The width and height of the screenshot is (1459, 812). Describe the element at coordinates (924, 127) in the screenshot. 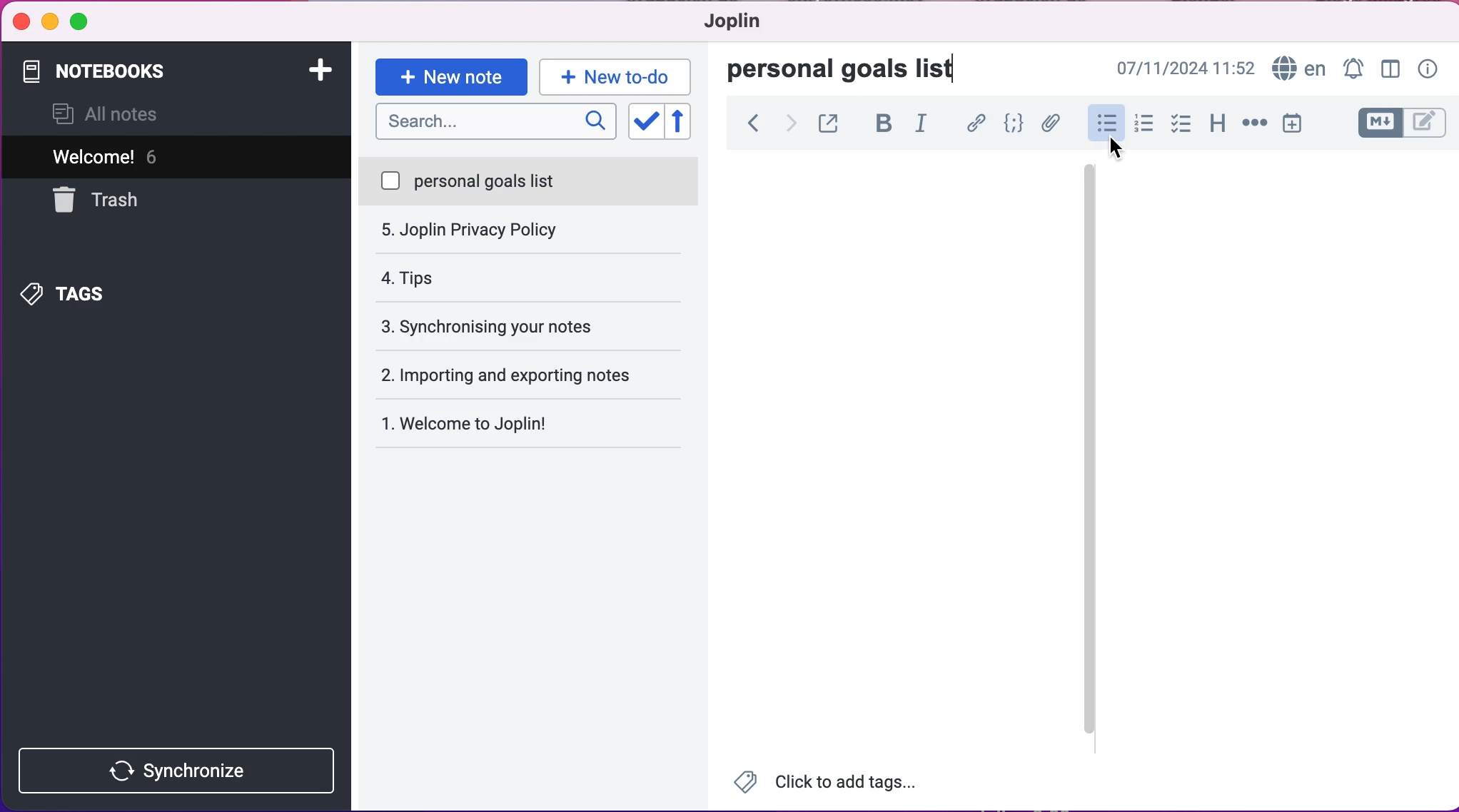

I see `italic` at that location.